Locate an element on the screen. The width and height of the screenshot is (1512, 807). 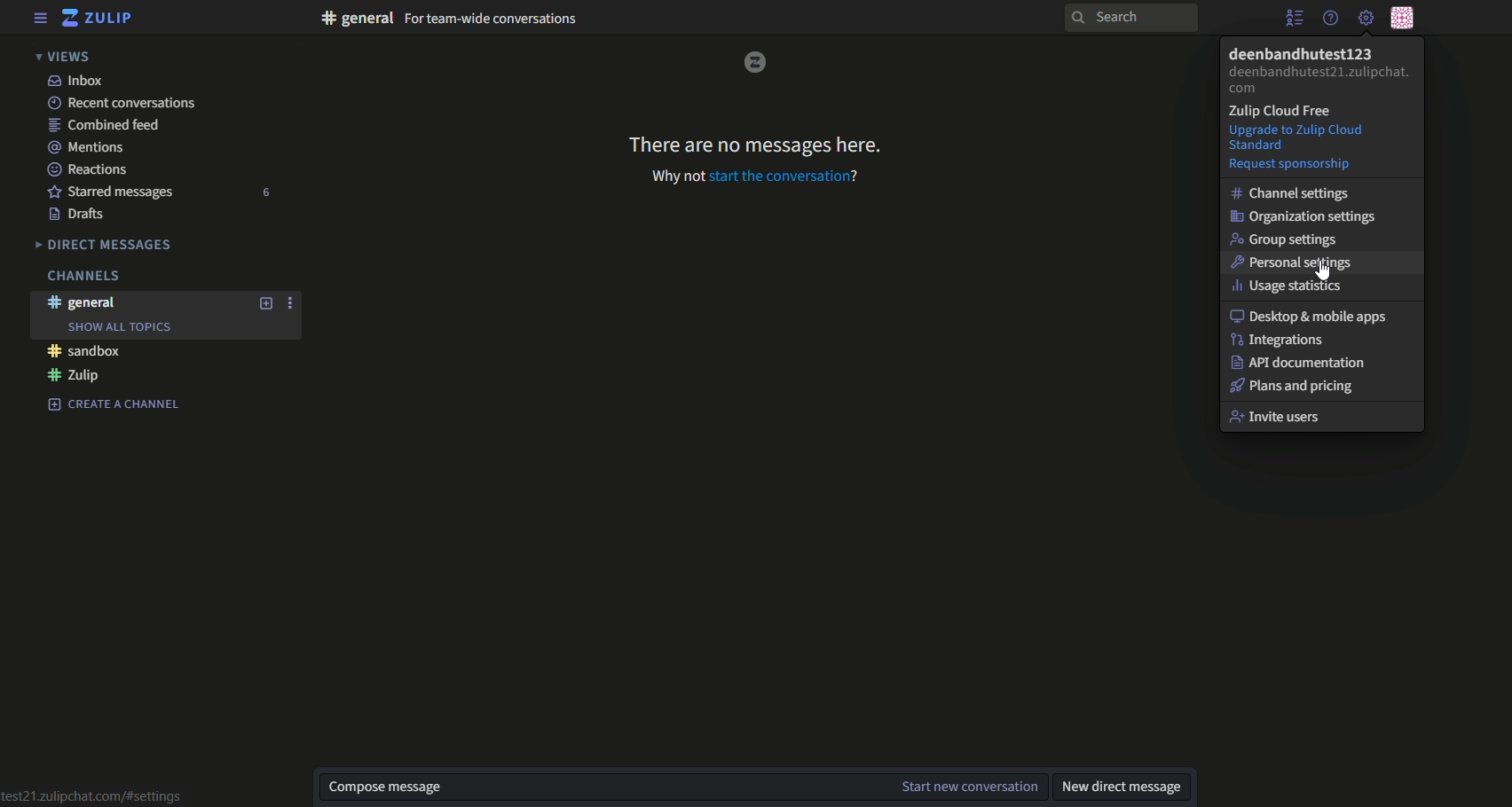
Direct messages is located at coordinates (106, 245).